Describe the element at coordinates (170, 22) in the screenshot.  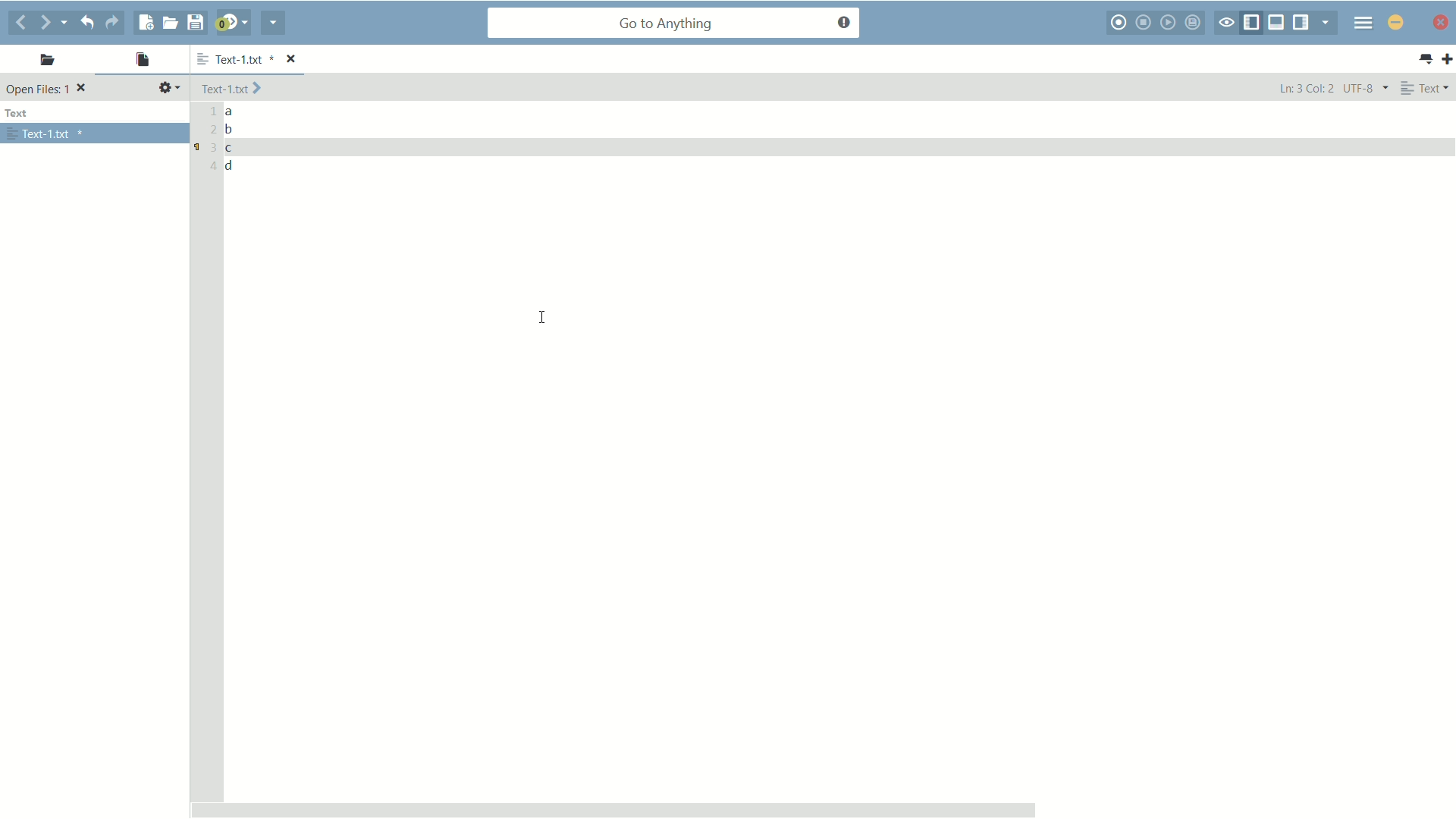
I see `open file` at that location.